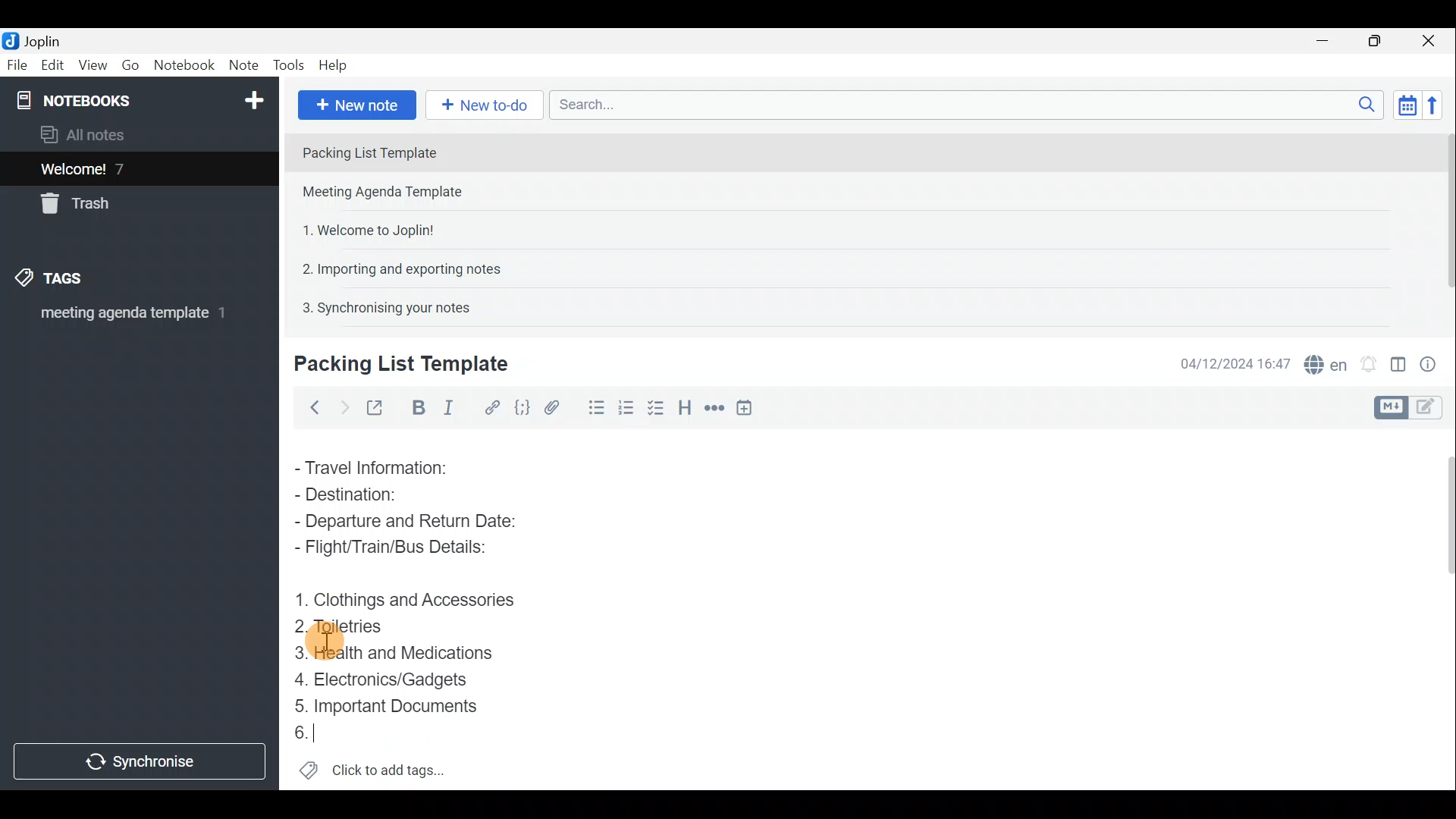 The image size is (1456, 819). Describe the element at coordinates (626, 405) in the screenshot. I see `Checkbox` at that location.